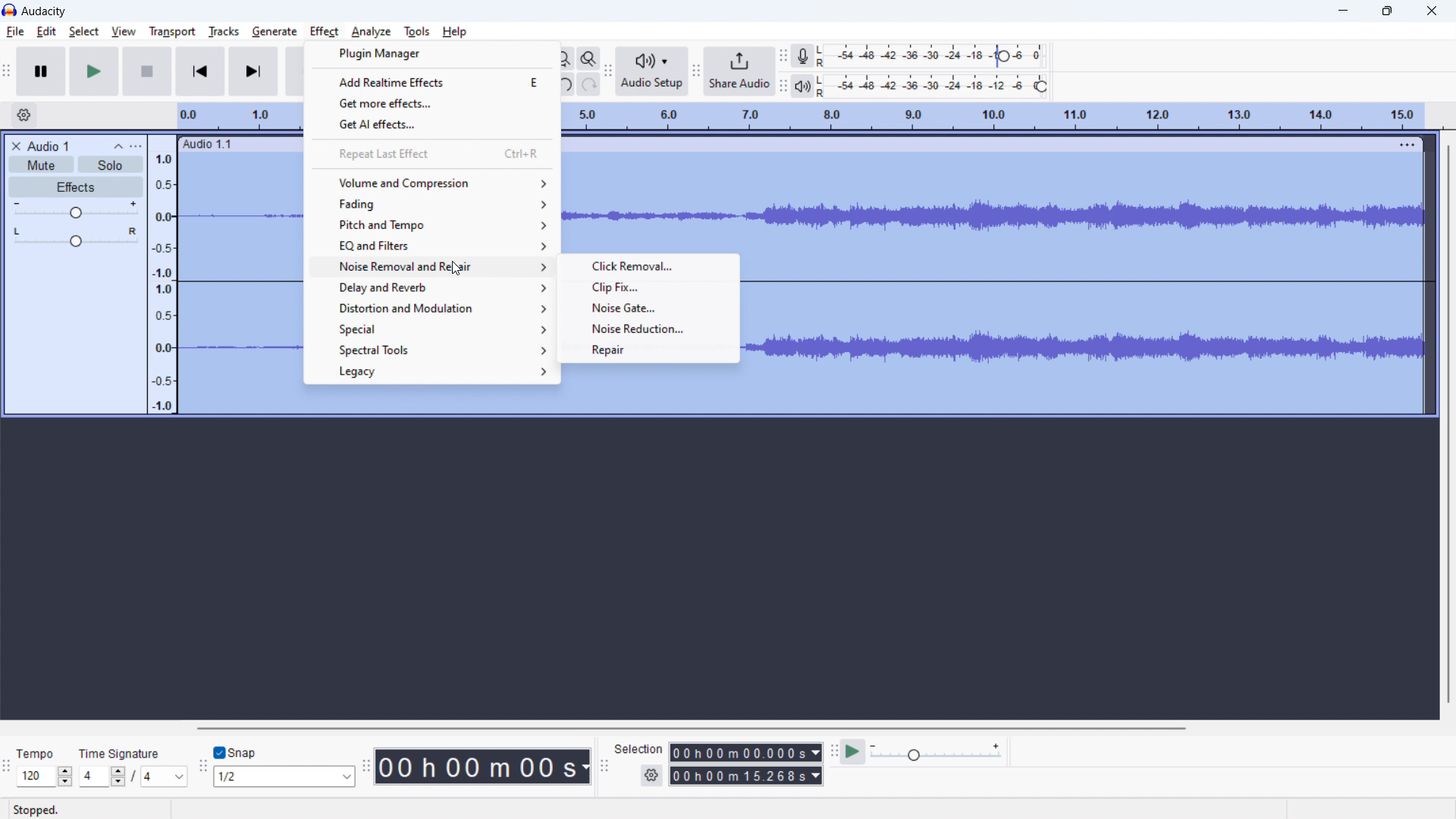 The image size is (1456, 819). I want to click on tools, so click(417, 32).